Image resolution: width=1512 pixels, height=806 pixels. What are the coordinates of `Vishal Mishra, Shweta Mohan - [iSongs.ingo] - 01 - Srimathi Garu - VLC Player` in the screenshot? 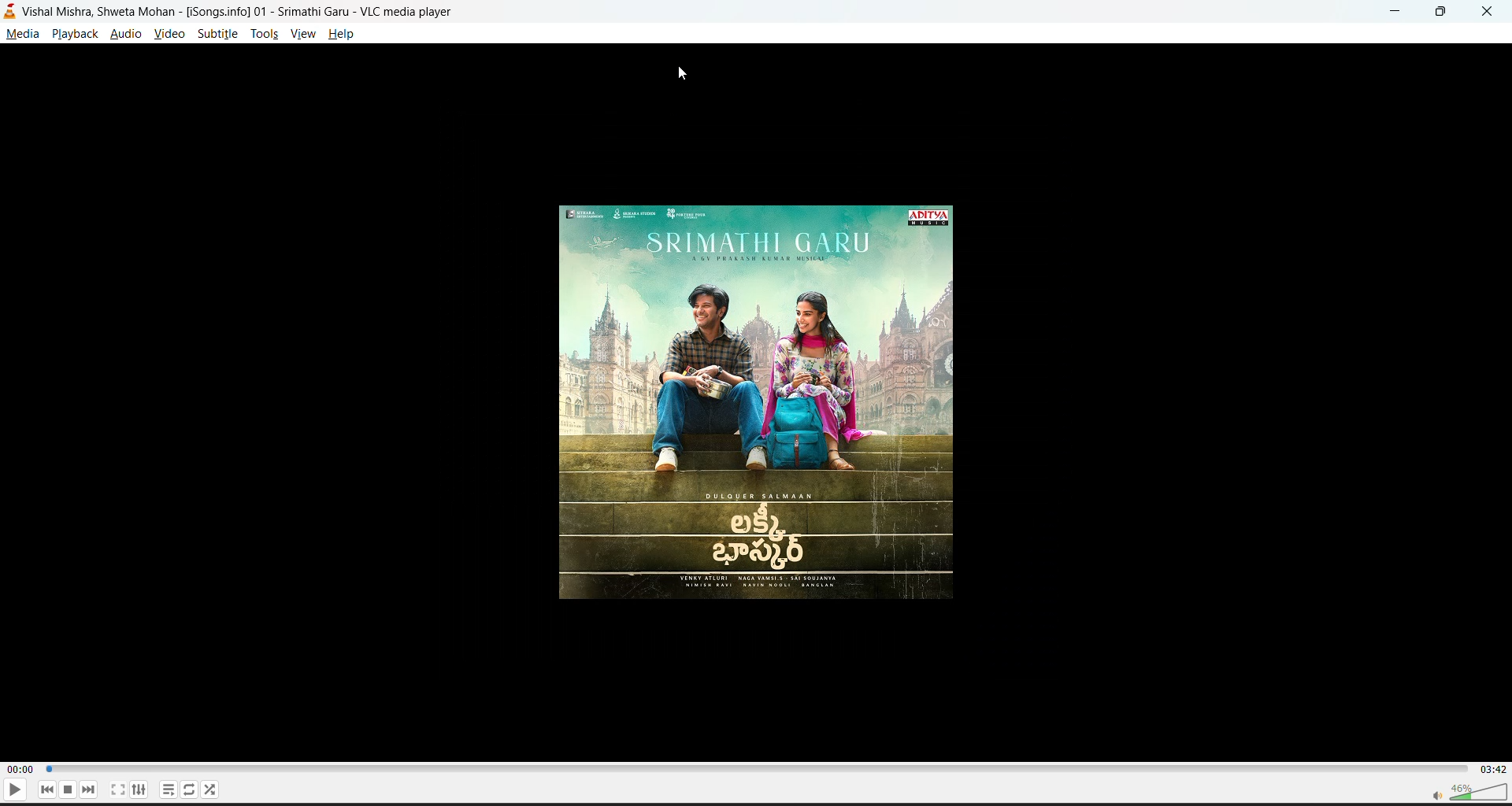 It's located at (241, 11).